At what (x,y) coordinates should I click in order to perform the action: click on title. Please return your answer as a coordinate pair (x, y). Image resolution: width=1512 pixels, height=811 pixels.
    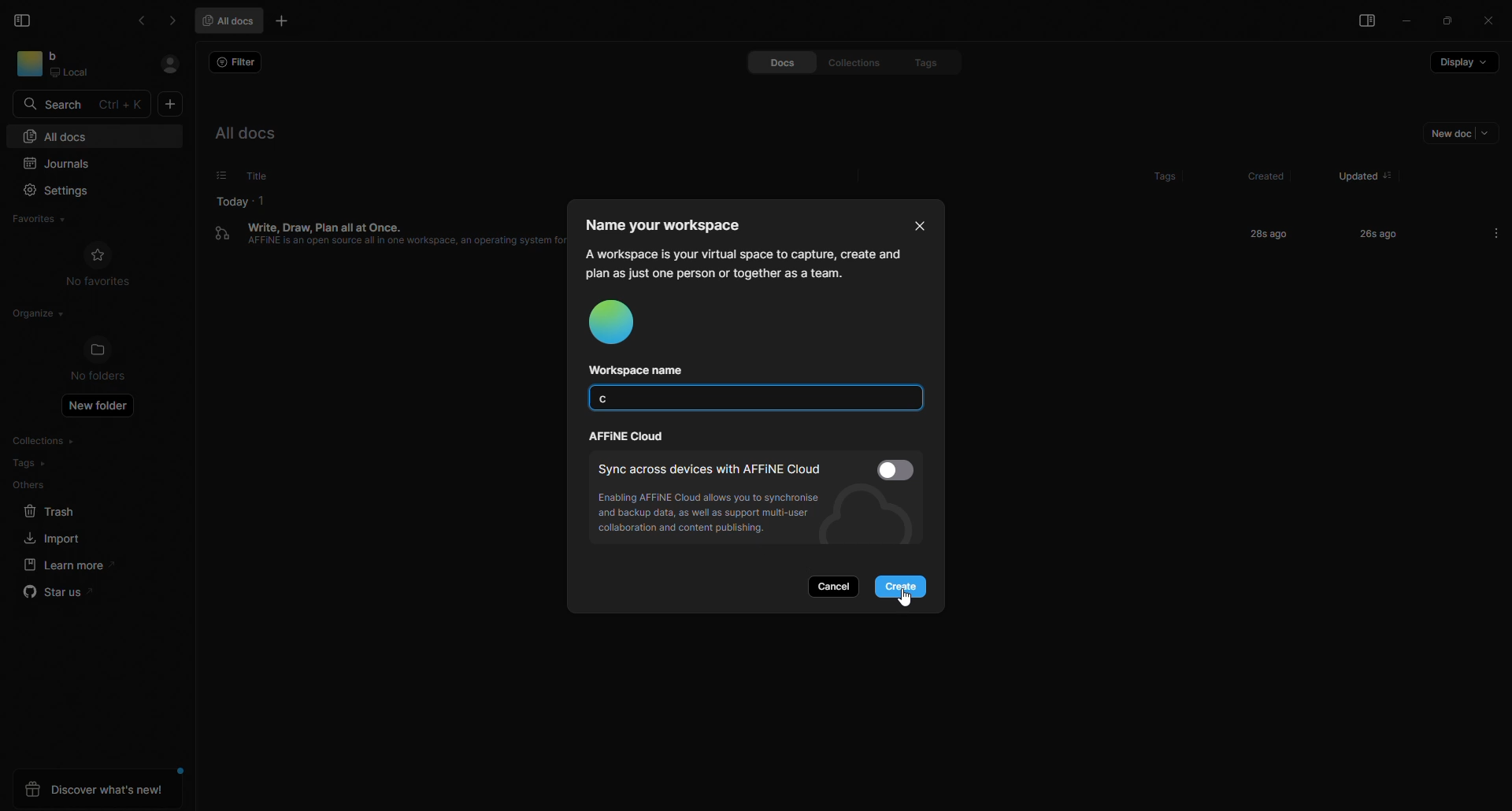
    Looking at the image, I should click on (254, 175).